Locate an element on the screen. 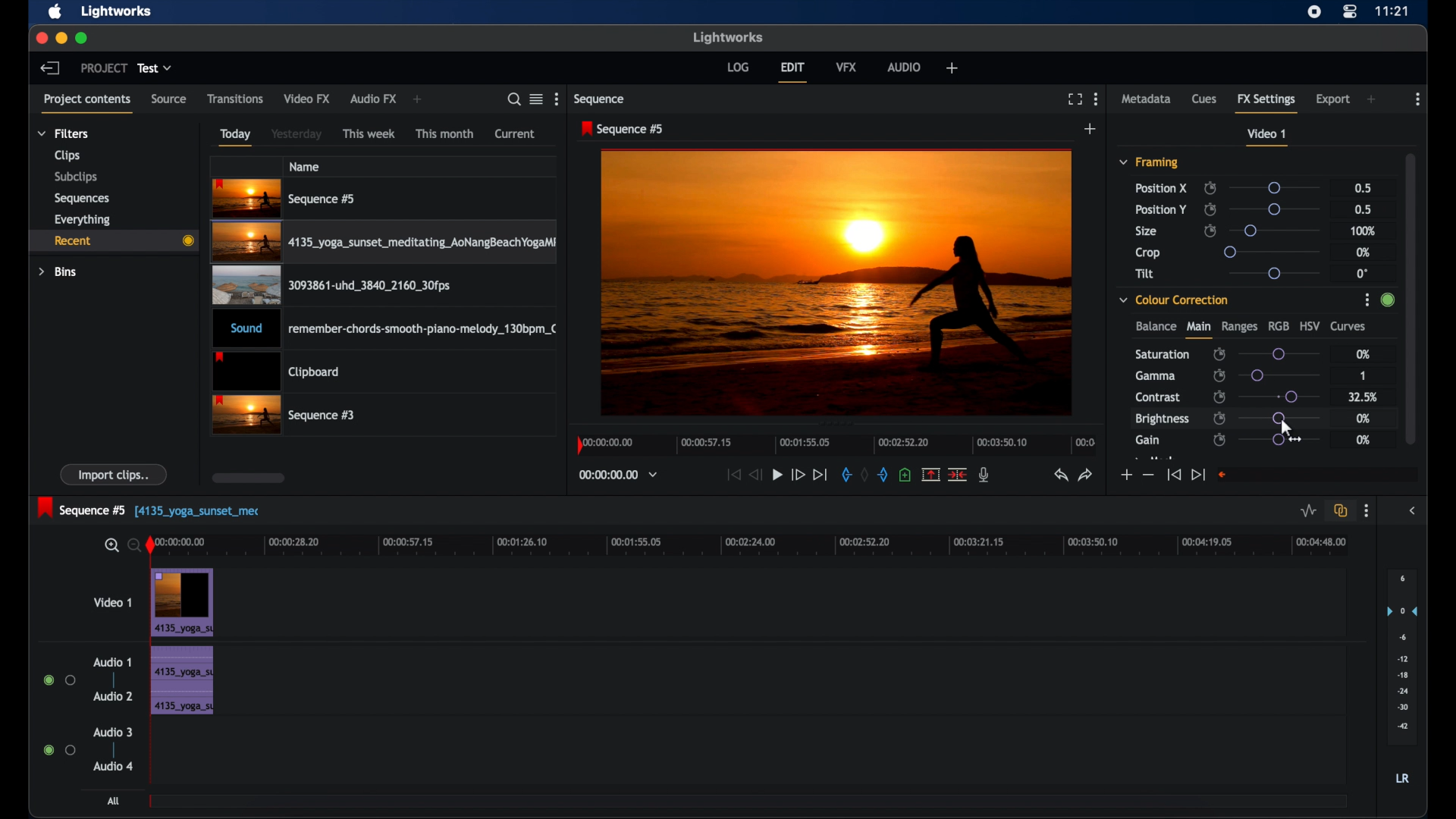  radio button is located at coordinates (59, 749).